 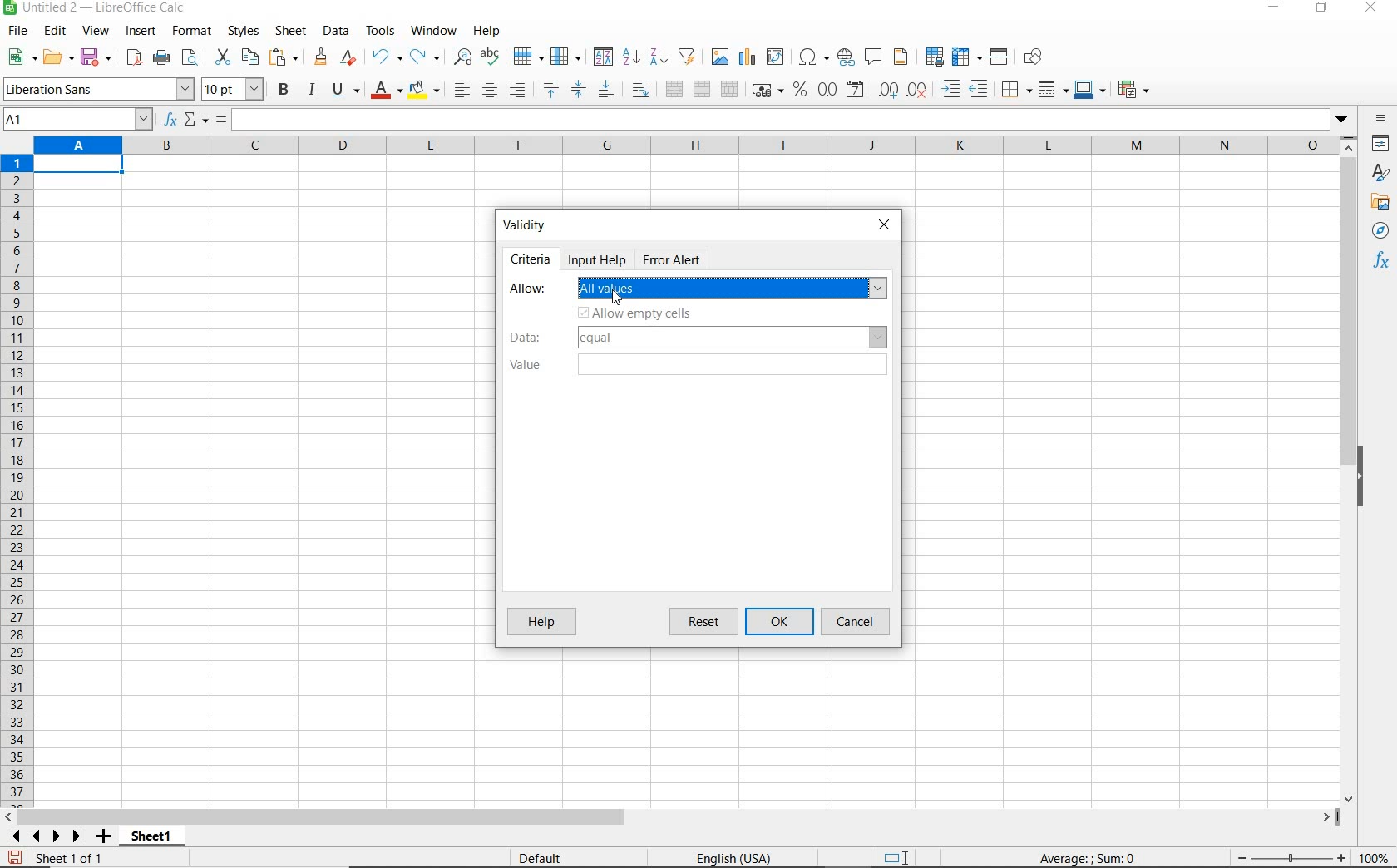 What do you see at coordinates (75, 859) in the screenshot?
I see `sheet 1 of 1` at bounding box center [75, 859].